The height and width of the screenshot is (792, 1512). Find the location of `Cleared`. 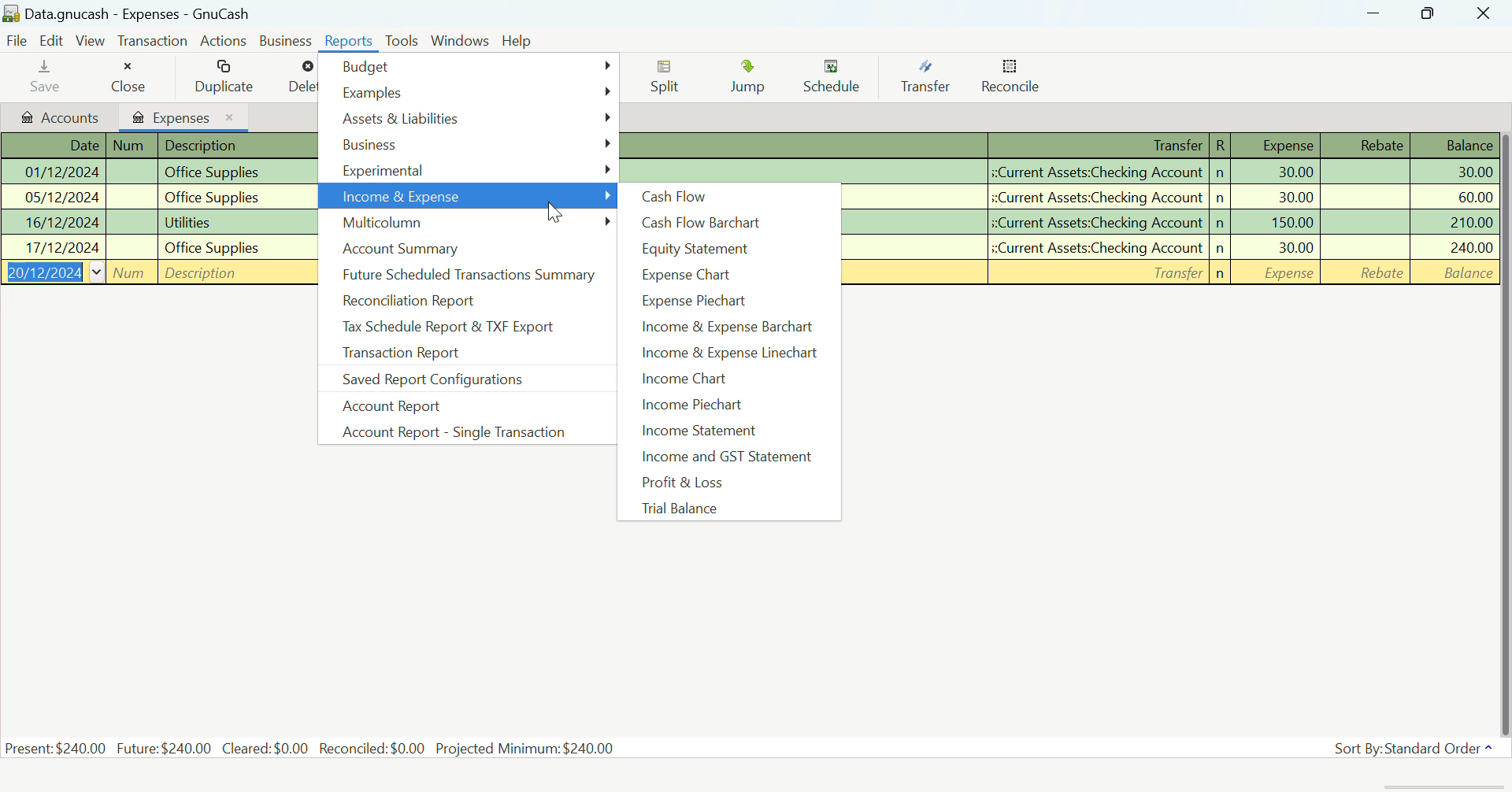

Cleared is located at coordinates (265, 748).